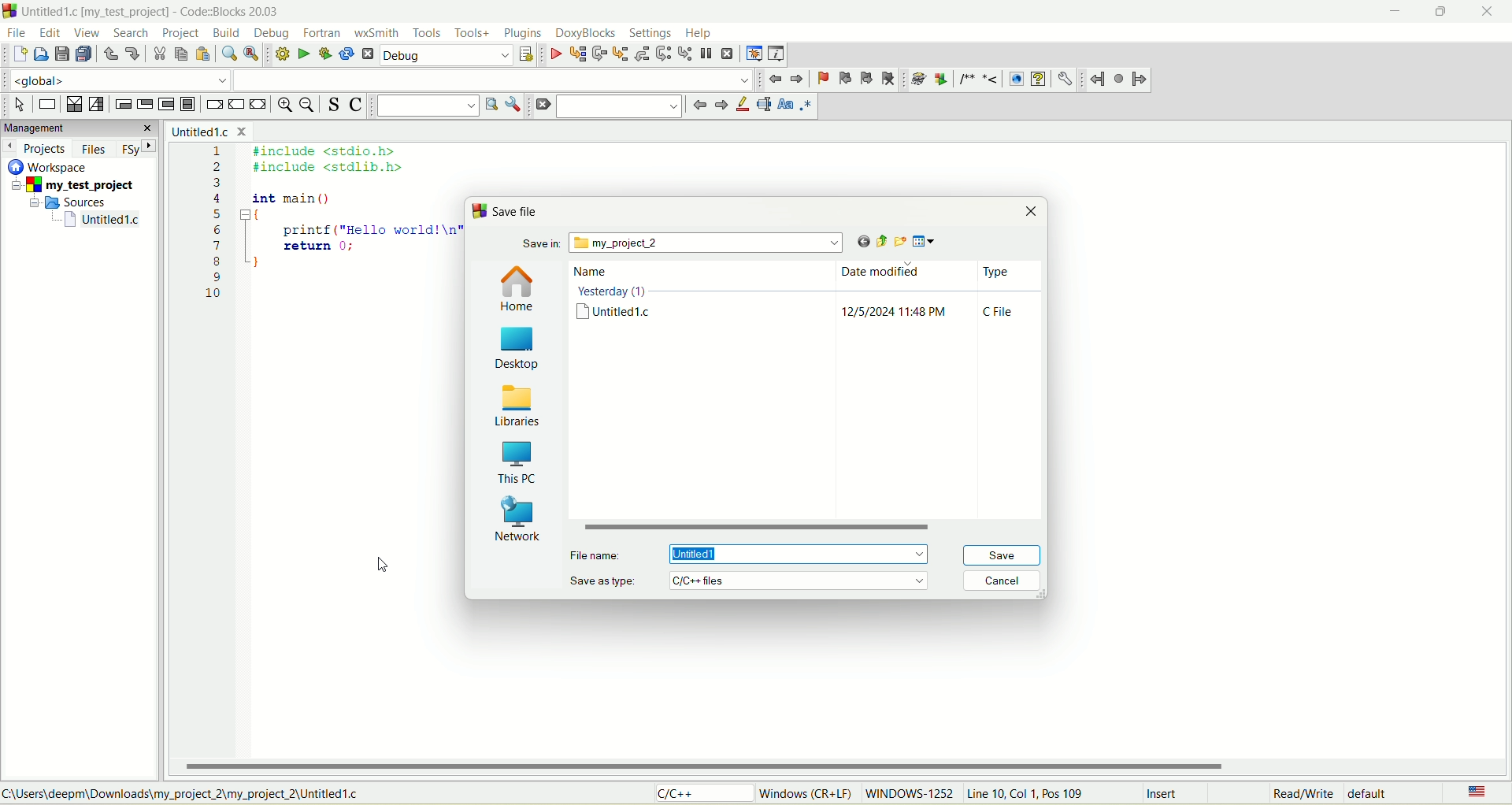 The height and width of the screenshot is (805, 1512). What do you see at coordinates (95, 149) in the screenshot?
I see `files` at bounding box center [95, 149].